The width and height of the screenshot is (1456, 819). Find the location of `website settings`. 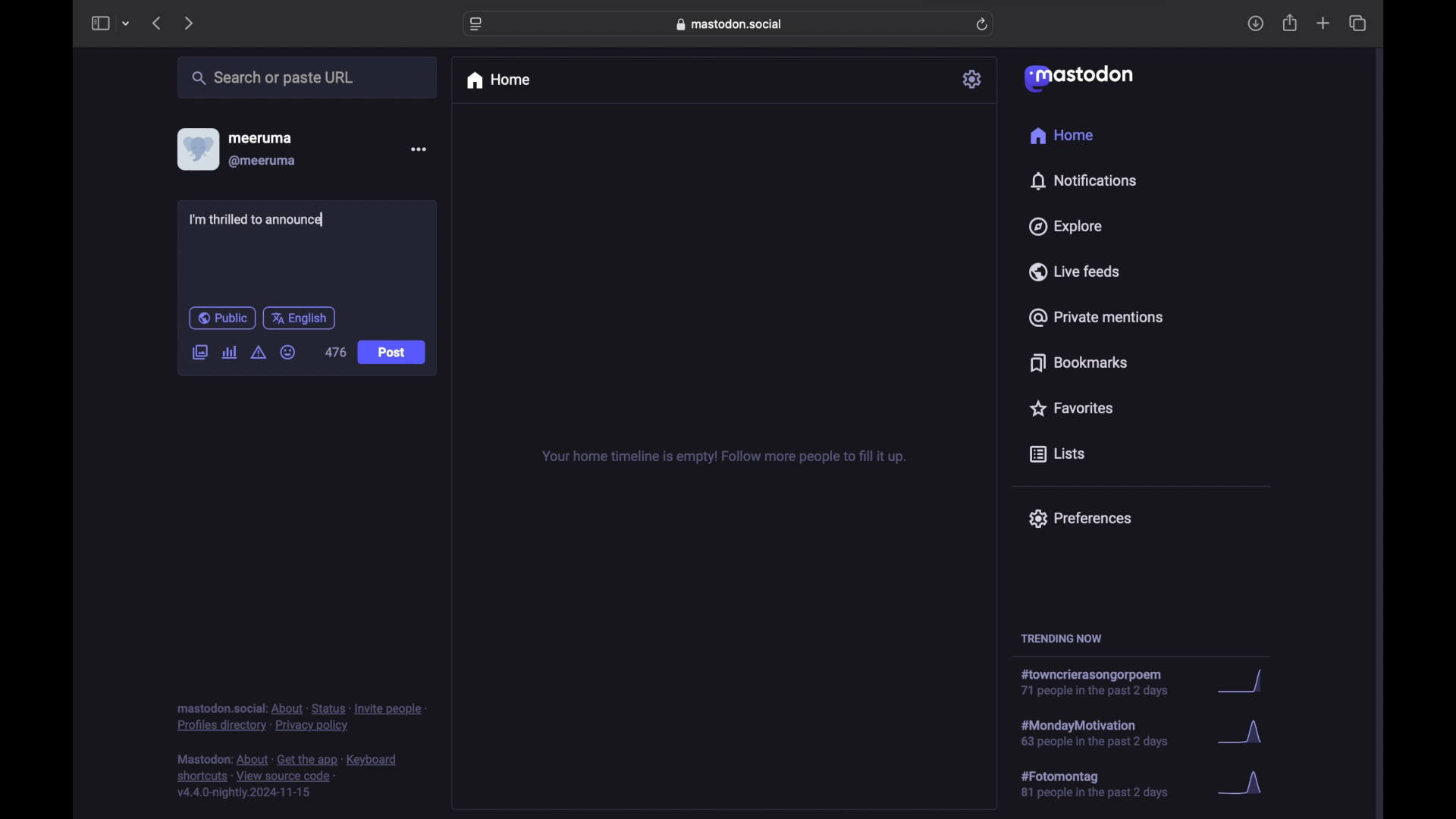

website settings is located at coordinates (476, 25).